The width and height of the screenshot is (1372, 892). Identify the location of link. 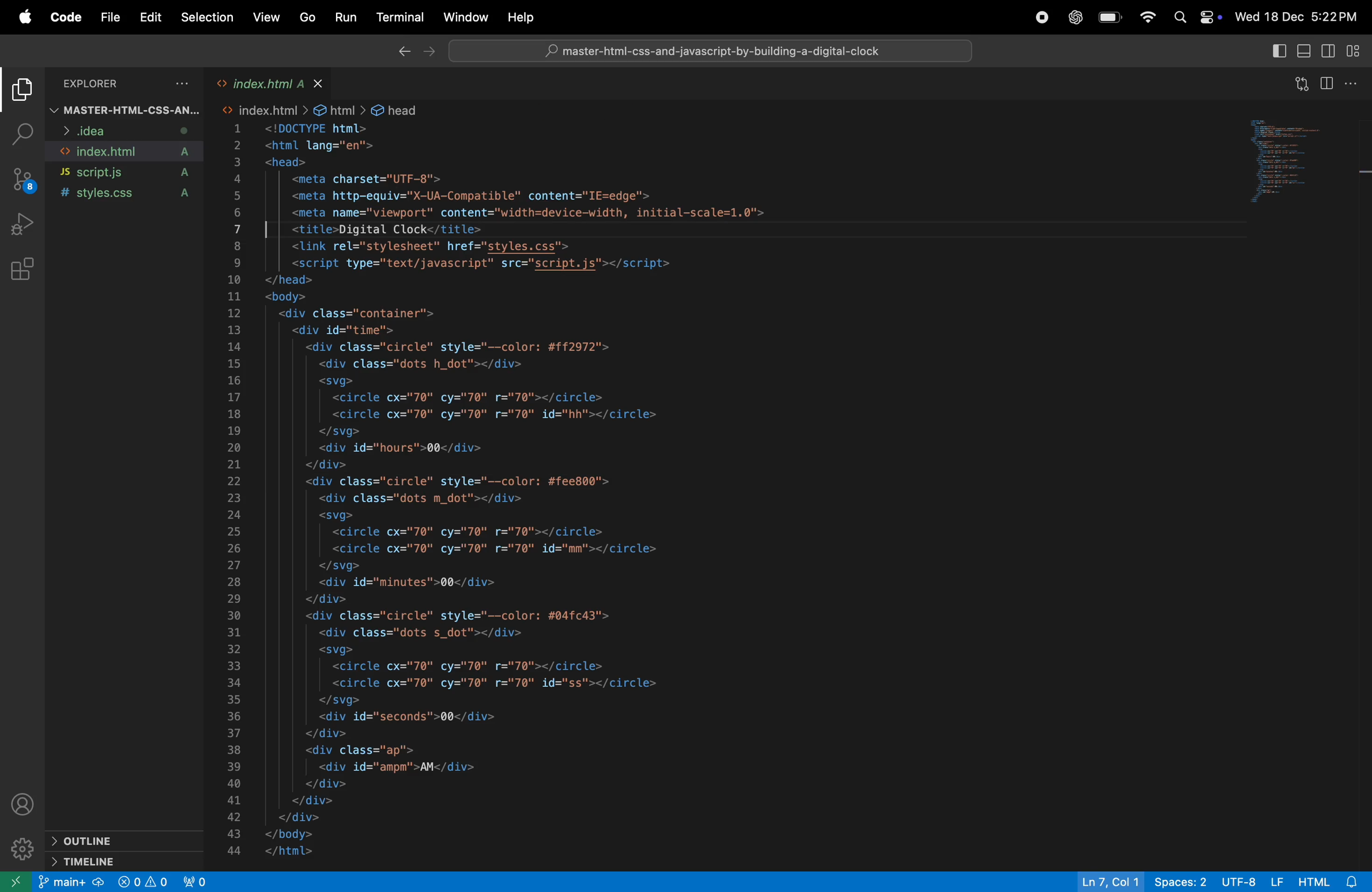
(483, 108).